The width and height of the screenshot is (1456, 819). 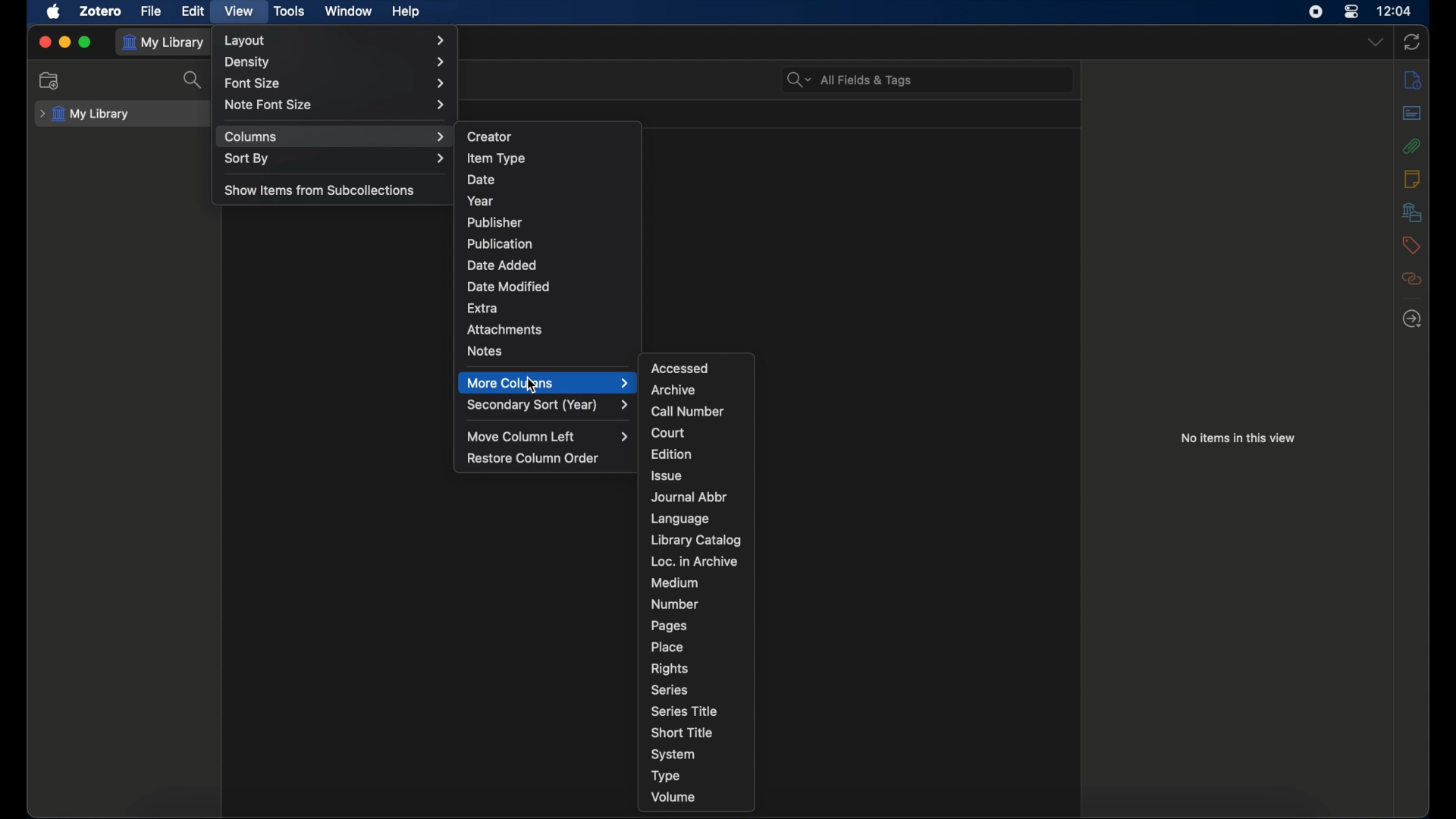 I want to click on pages, so click(x=668, y=626).